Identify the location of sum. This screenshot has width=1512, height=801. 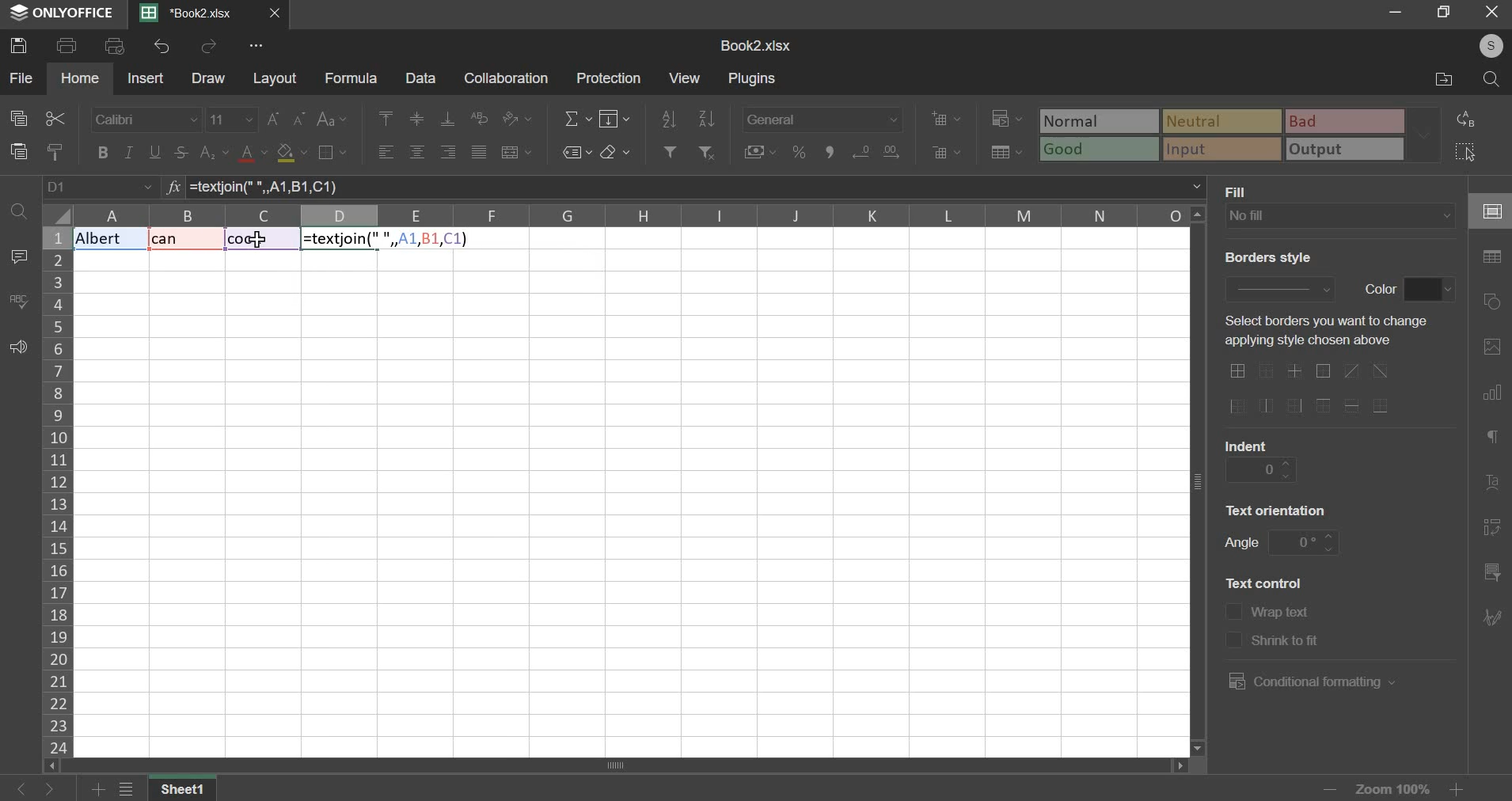
(578, 117).